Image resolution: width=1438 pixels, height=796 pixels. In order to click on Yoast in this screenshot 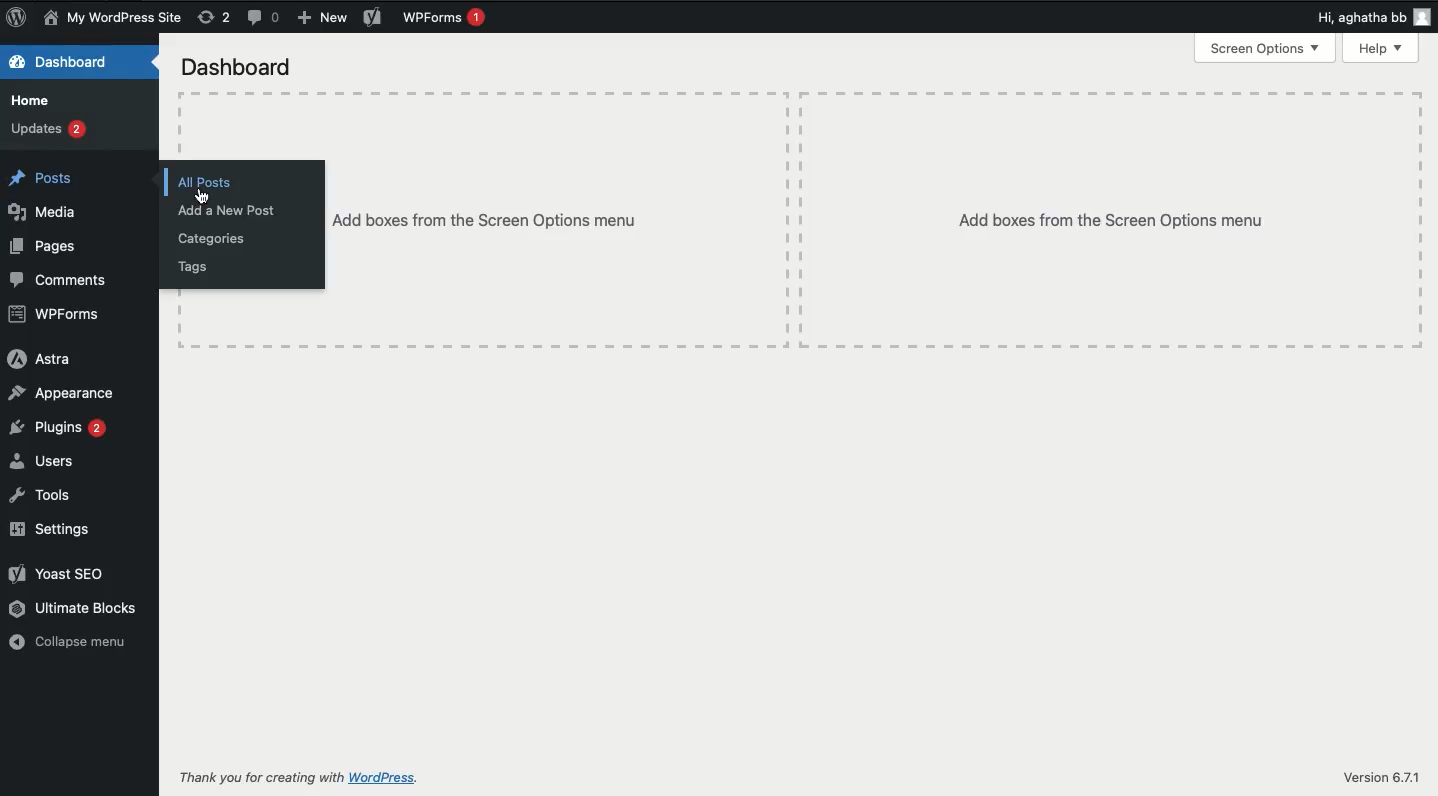, I will do `click(372, 15)`.